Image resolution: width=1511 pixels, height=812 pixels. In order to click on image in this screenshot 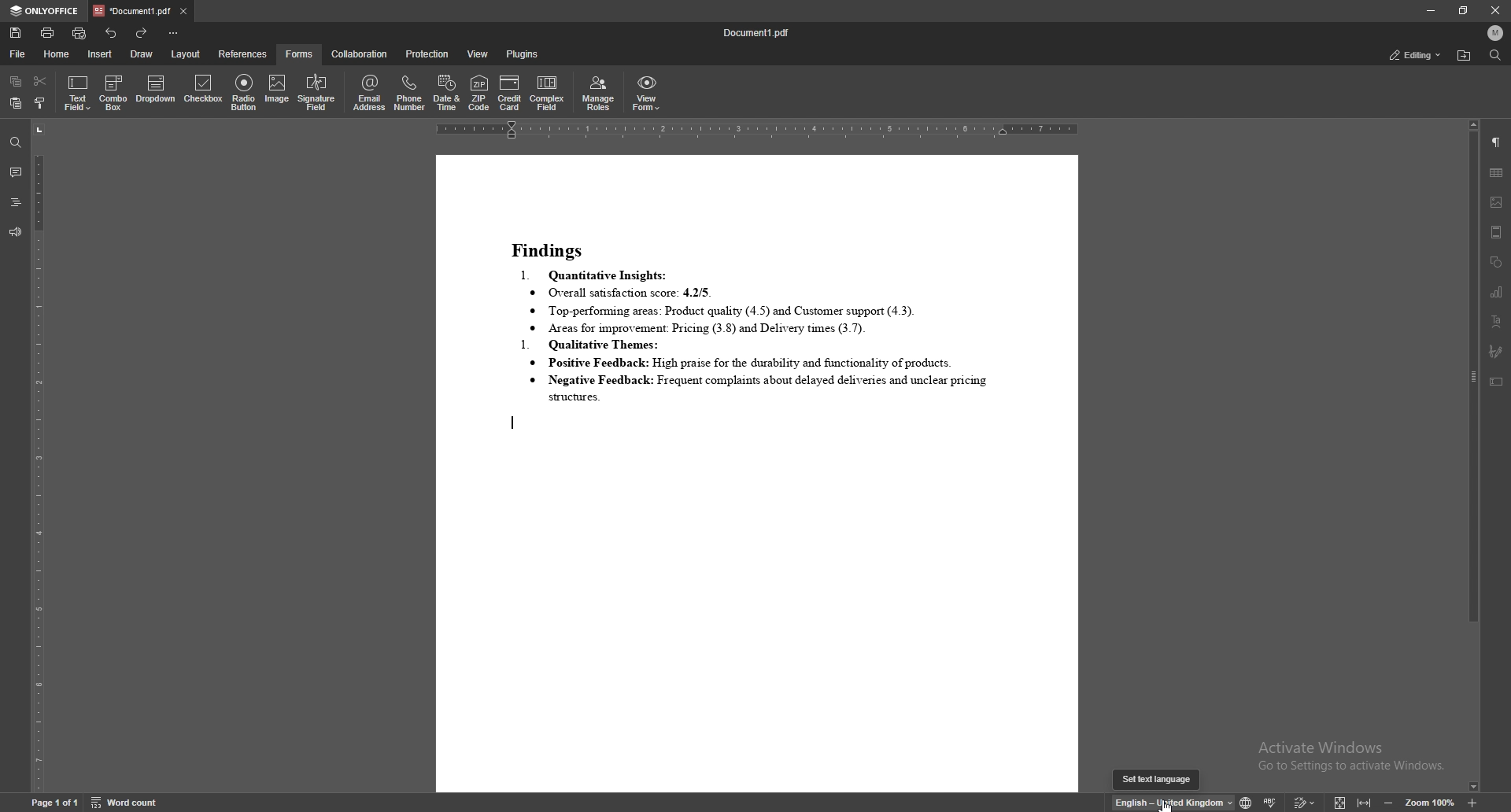, I will do `click(277, 94)`.